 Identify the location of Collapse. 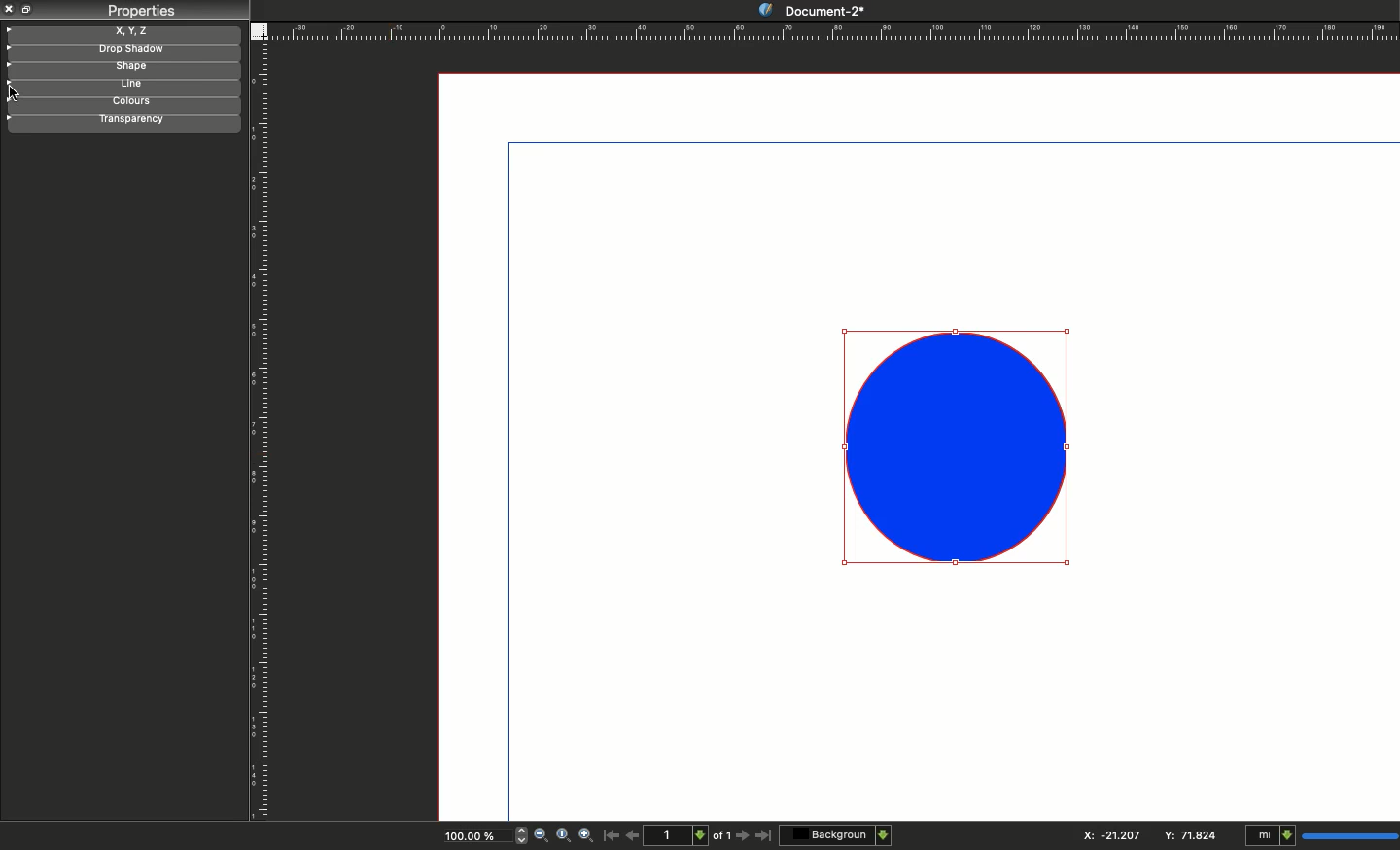
(29, 9).